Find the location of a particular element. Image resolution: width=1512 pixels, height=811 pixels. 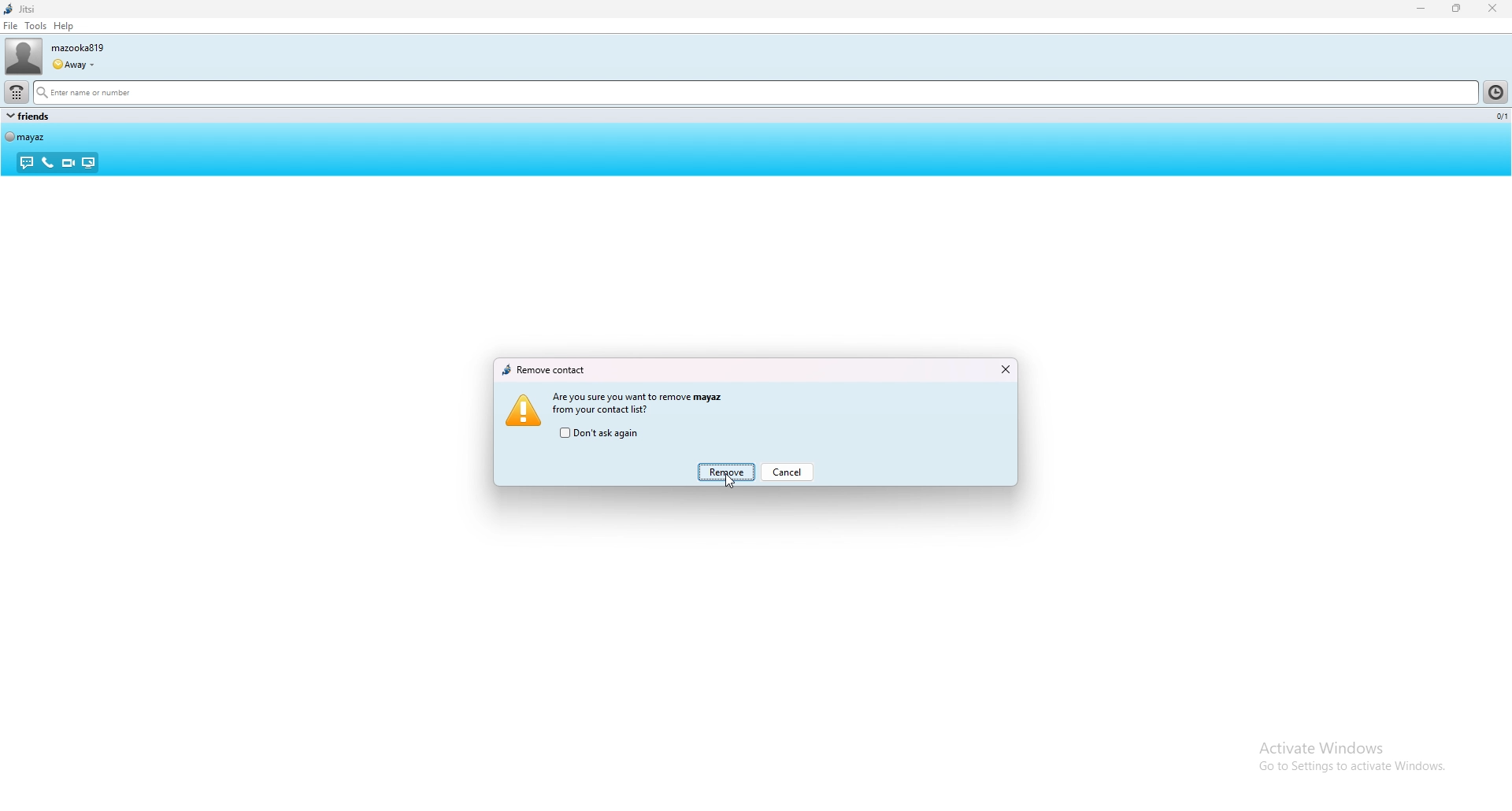

remove contact is located at coordinates (546, 370).